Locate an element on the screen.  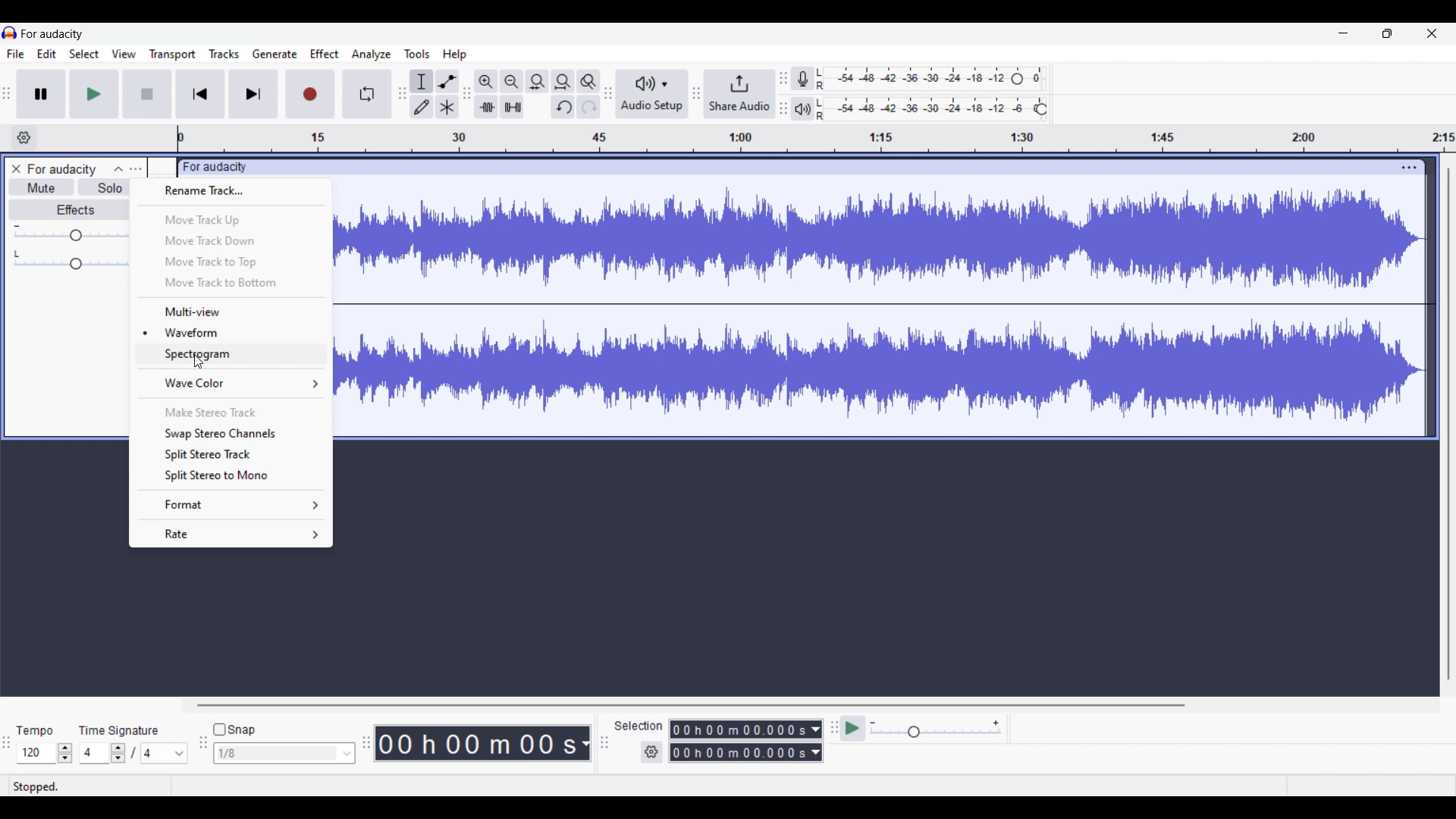
Enable looping is located at coordinates (367, 94).